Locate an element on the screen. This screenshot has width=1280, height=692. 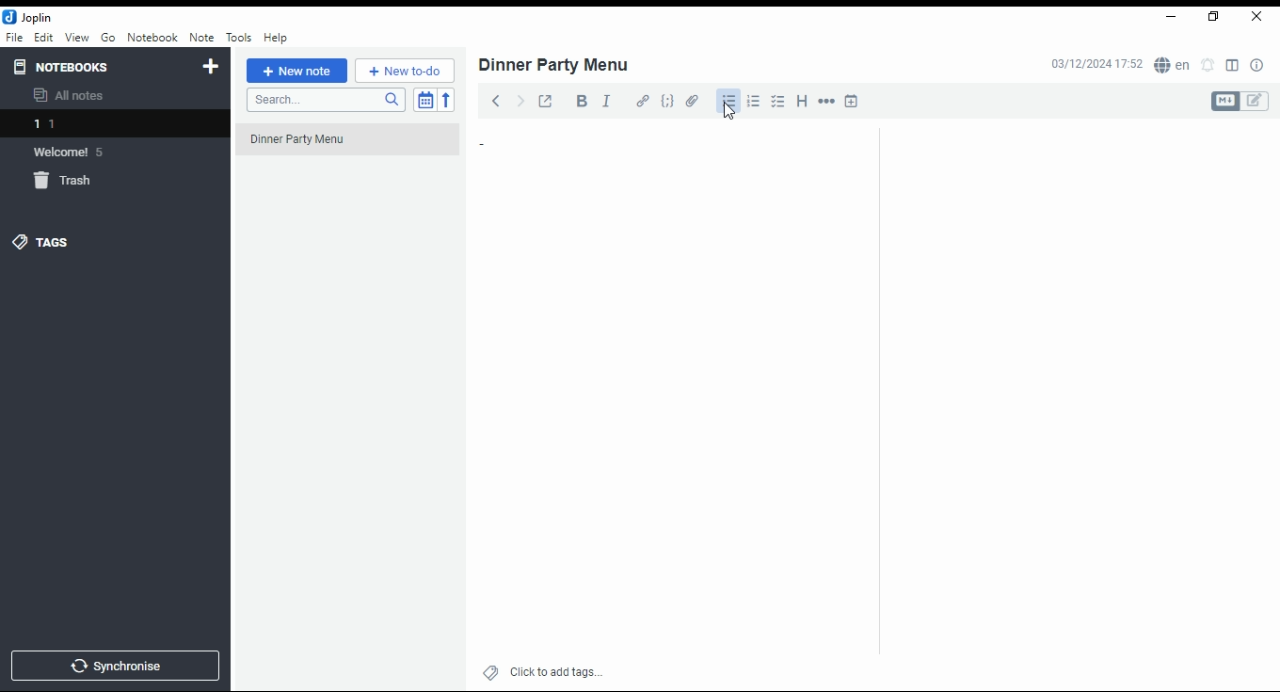
notebook is located at coordinates (152, 37).